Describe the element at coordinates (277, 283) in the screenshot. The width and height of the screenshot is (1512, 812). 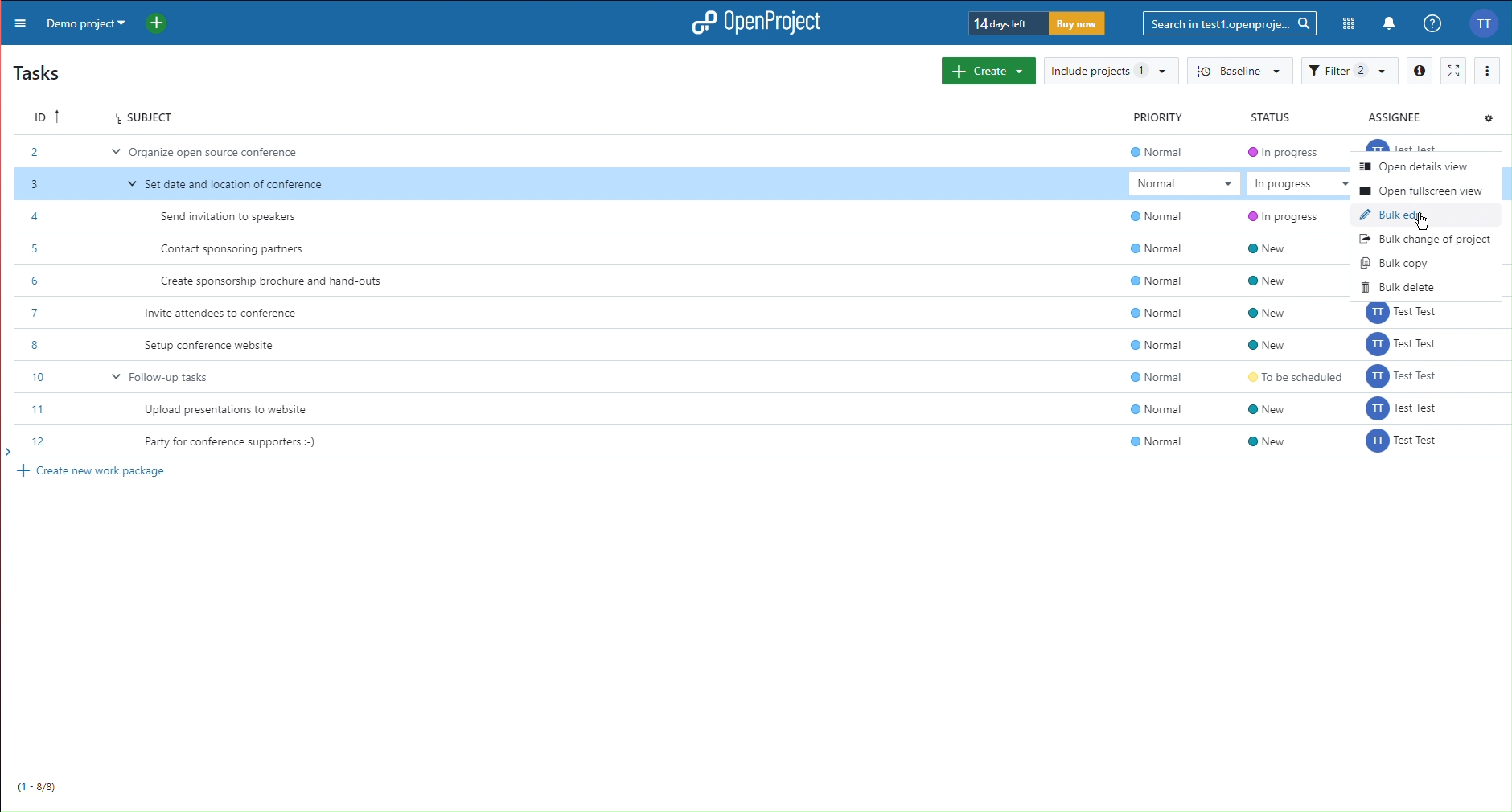
I see `Create sponsorship brochure and hand-outs` at that location.